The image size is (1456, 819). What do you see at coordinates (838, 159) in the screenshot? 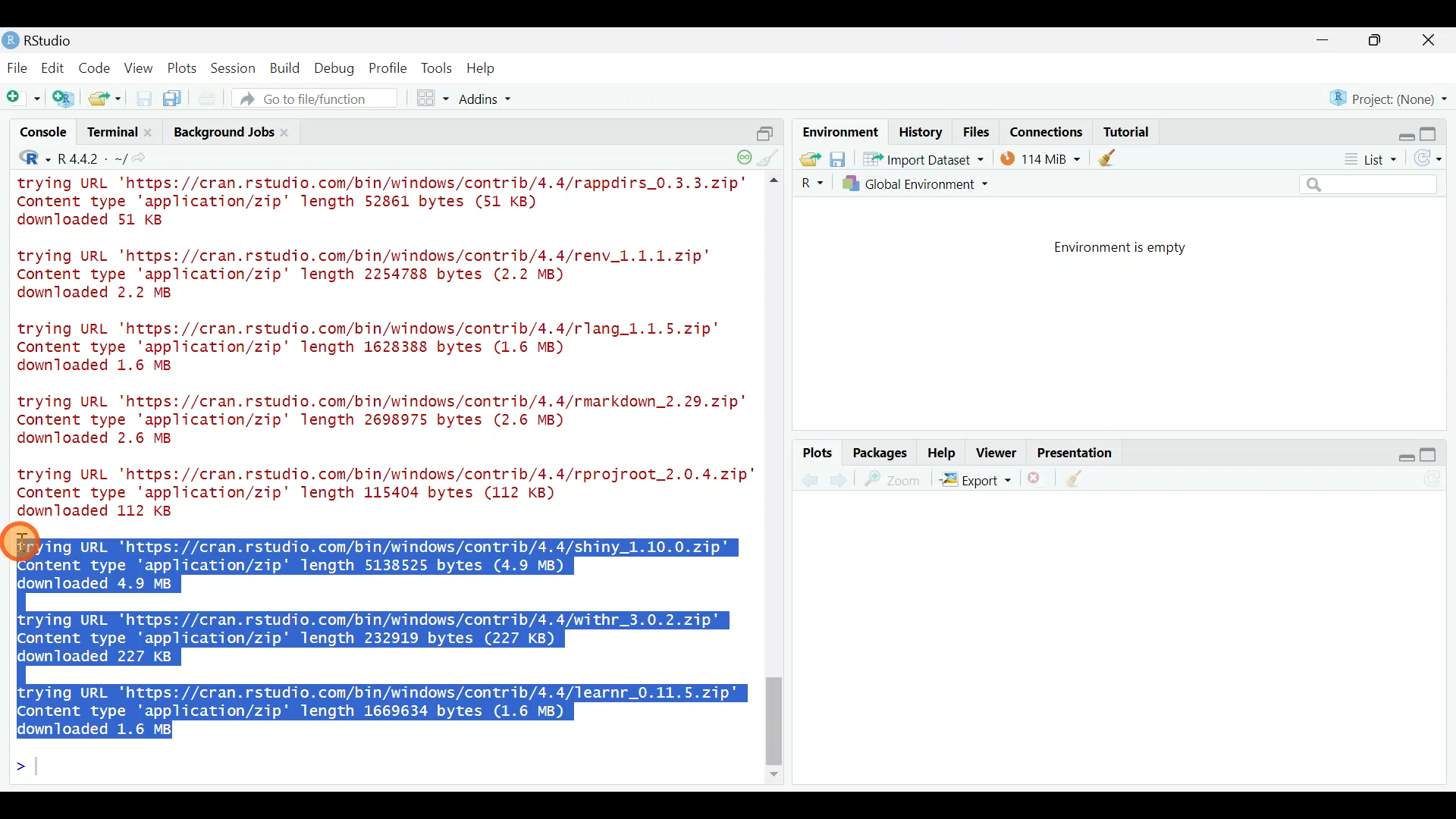
I see `save workspace as` at bounding box center [838, 159].